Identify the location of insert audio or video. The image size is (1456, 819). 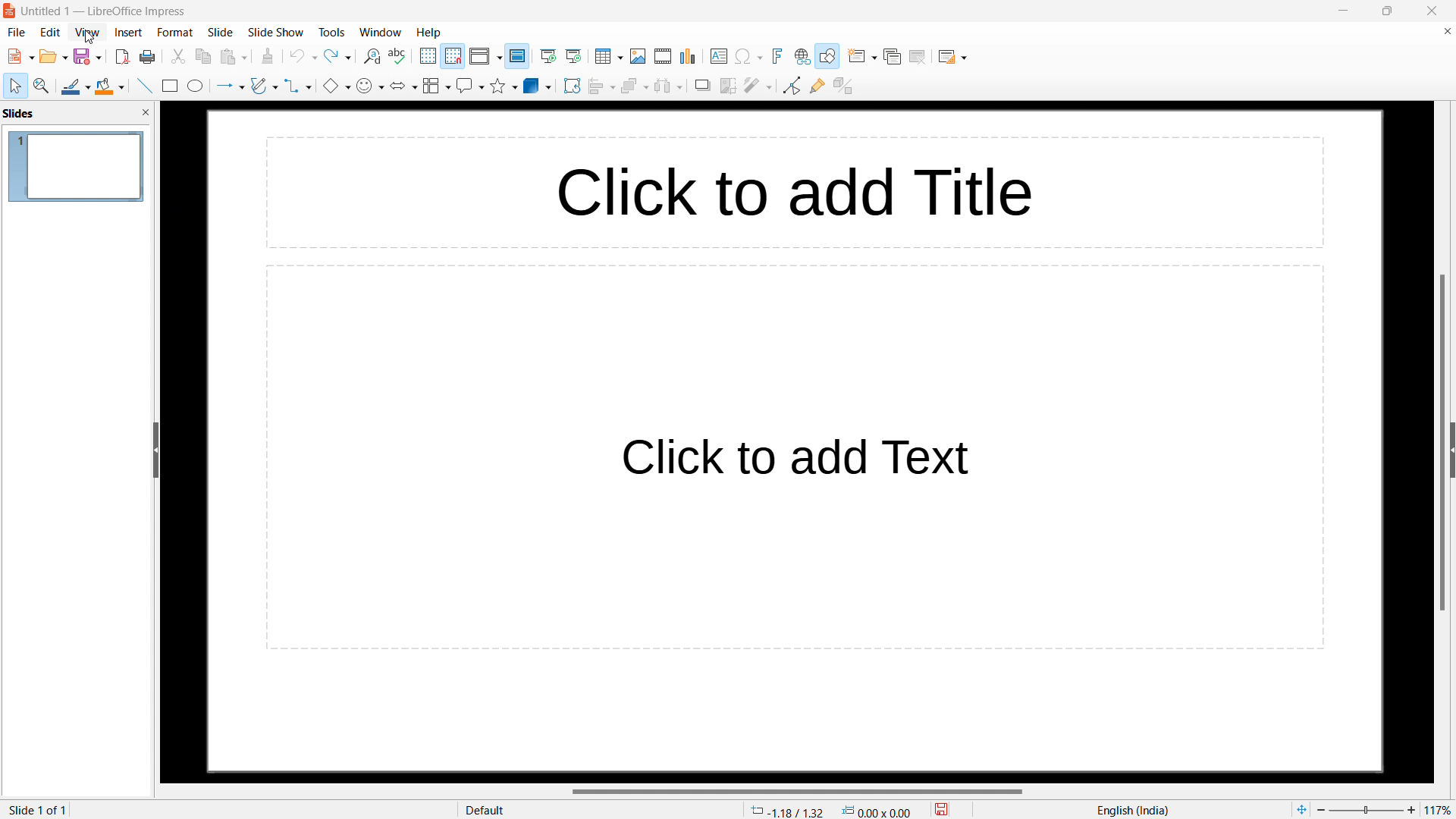
(664, 57).